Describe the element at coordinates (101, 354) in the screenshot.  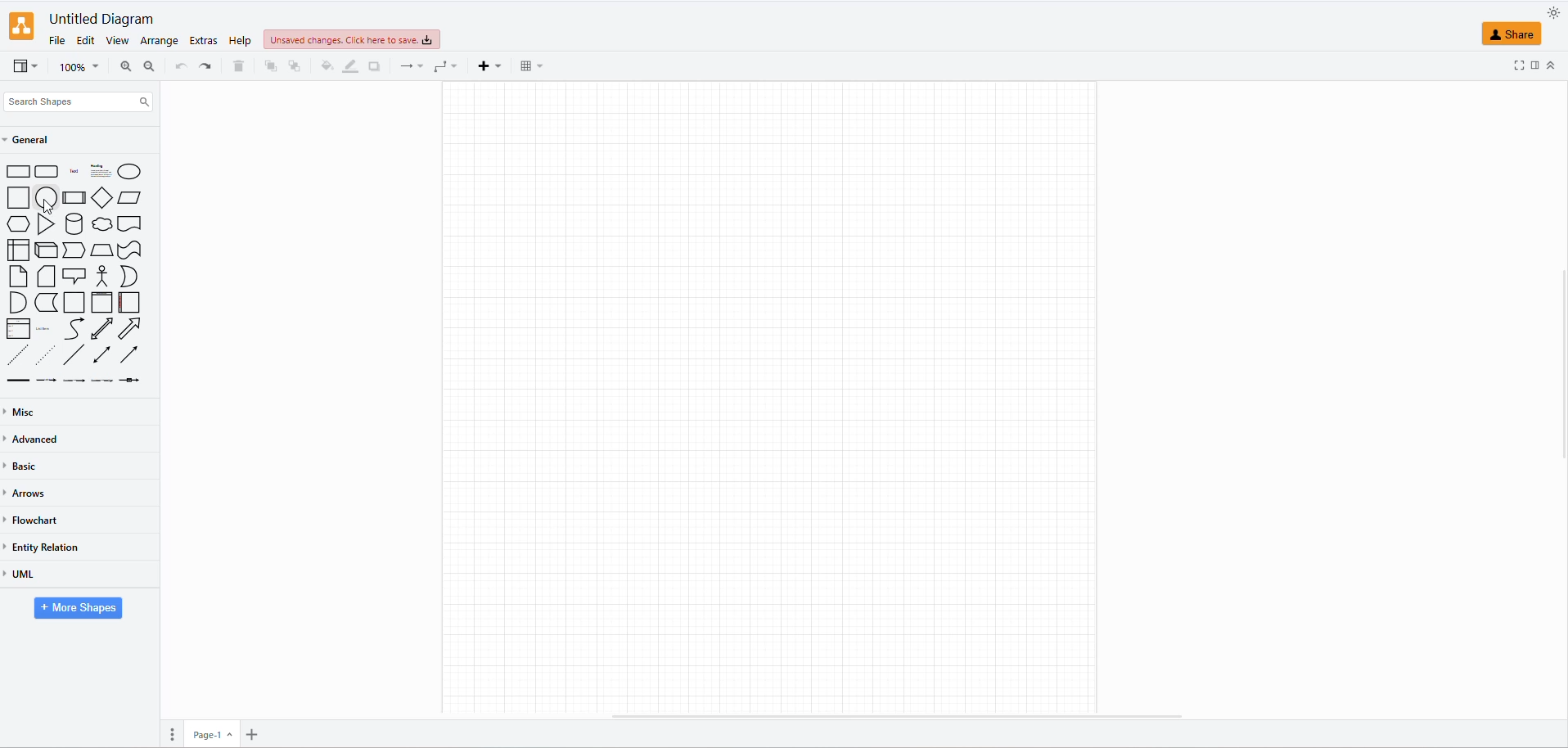
I see `BIDIRECTIONAL CONNECTOR` at that location.